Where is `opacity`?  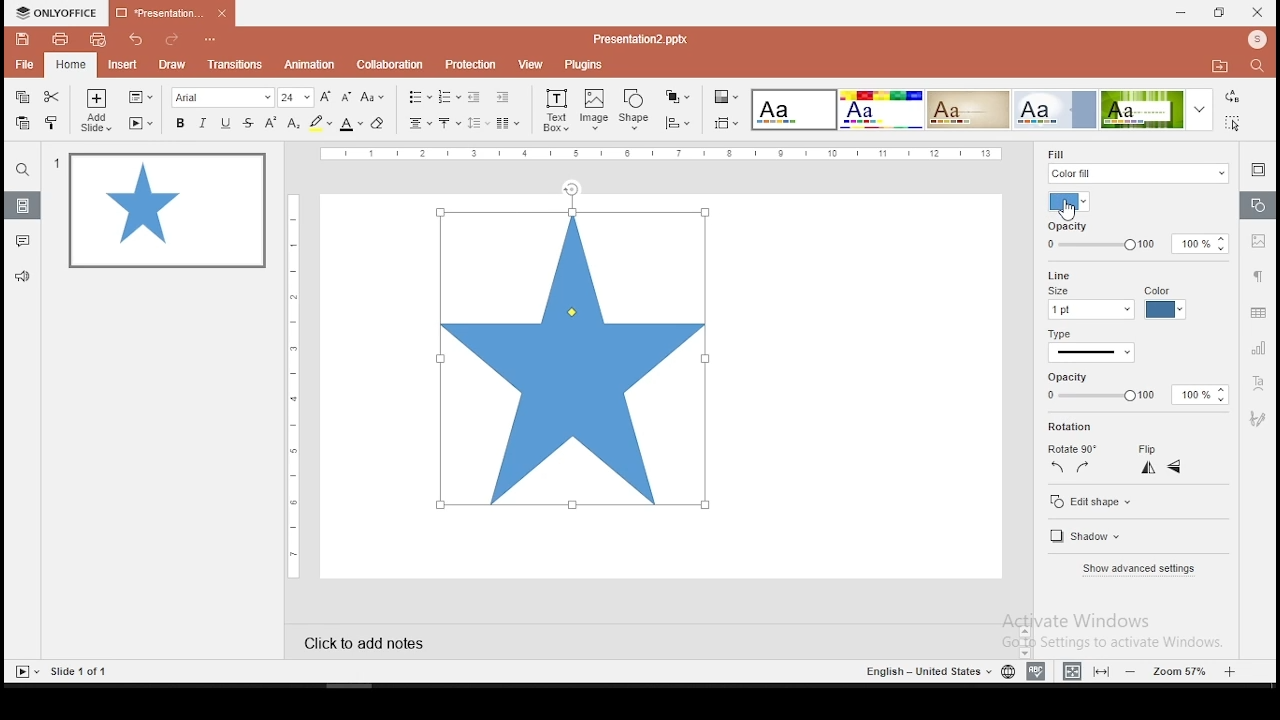 opacity is located at coordinates (1137, 391).